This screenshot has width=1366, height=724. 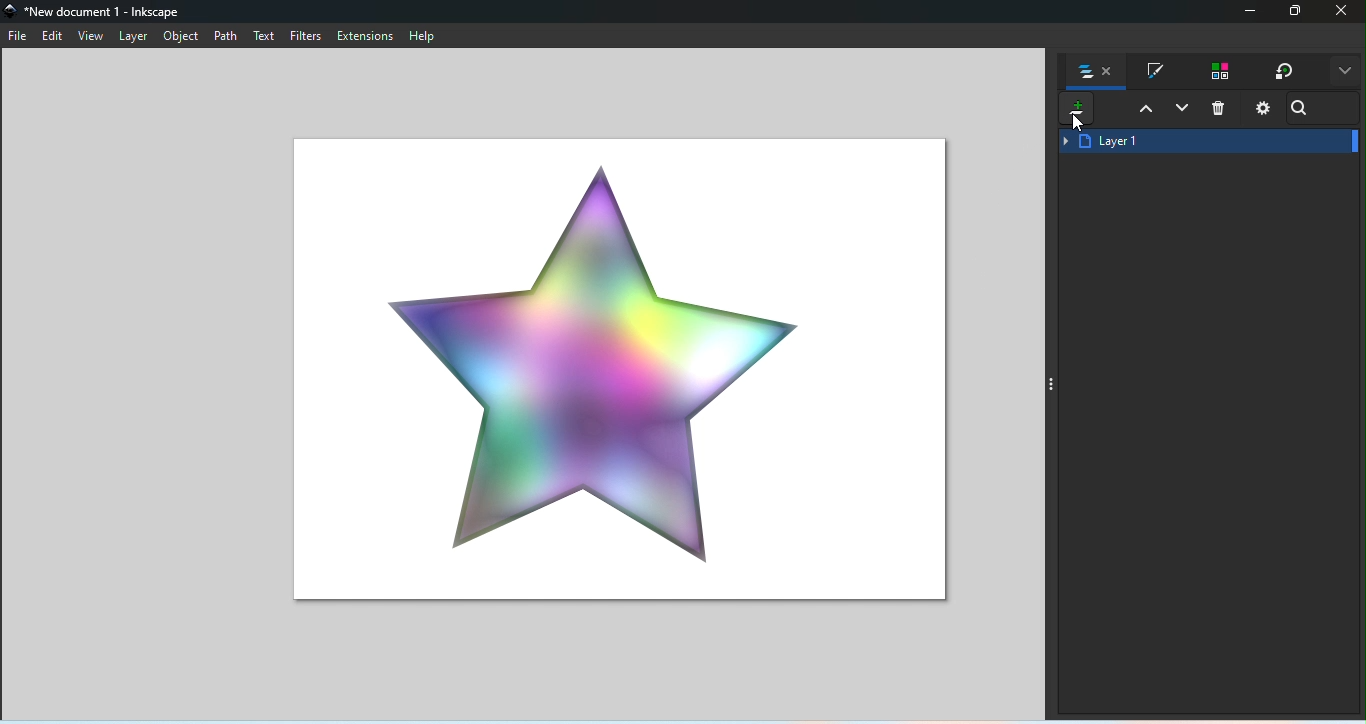 I want to click on Close, so click(x=1344, y=13).